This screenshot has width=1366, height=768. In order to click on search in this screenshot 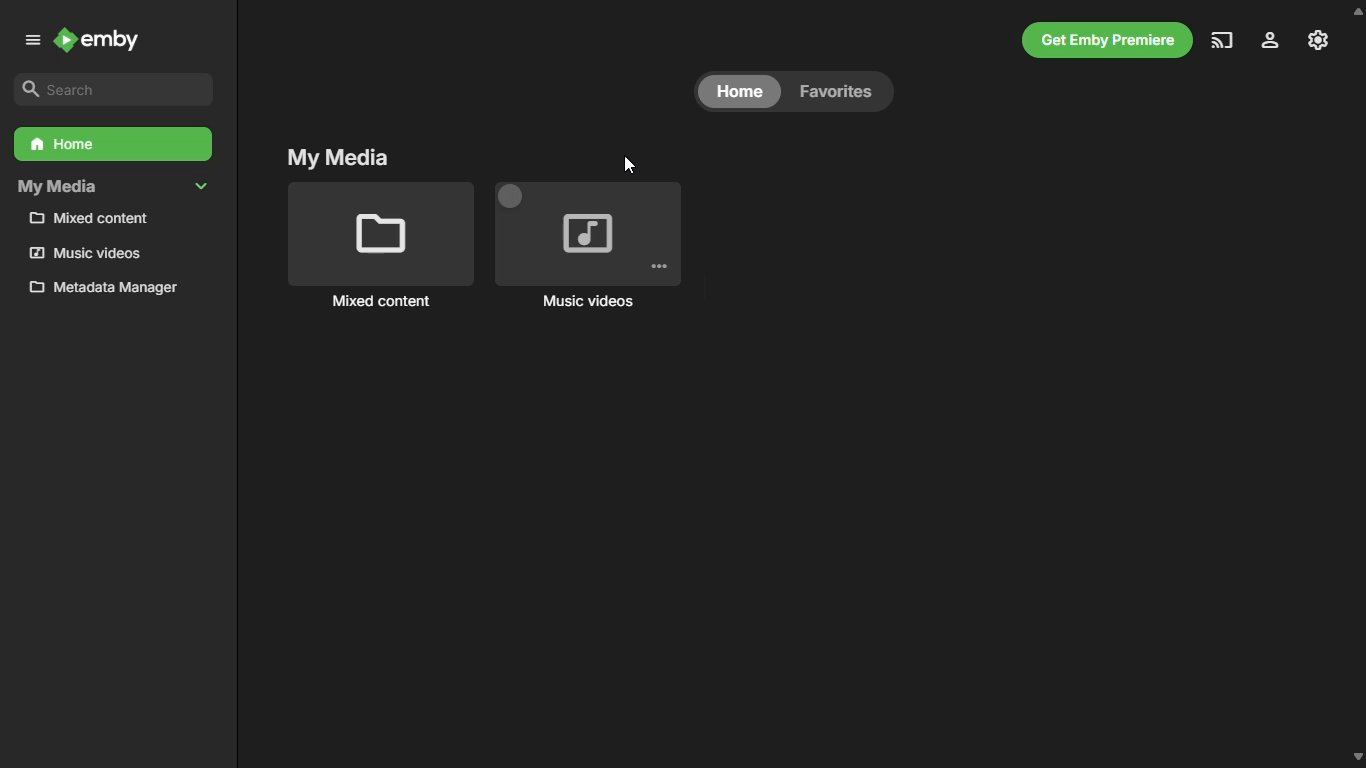, I will do `click(111, 88)`.